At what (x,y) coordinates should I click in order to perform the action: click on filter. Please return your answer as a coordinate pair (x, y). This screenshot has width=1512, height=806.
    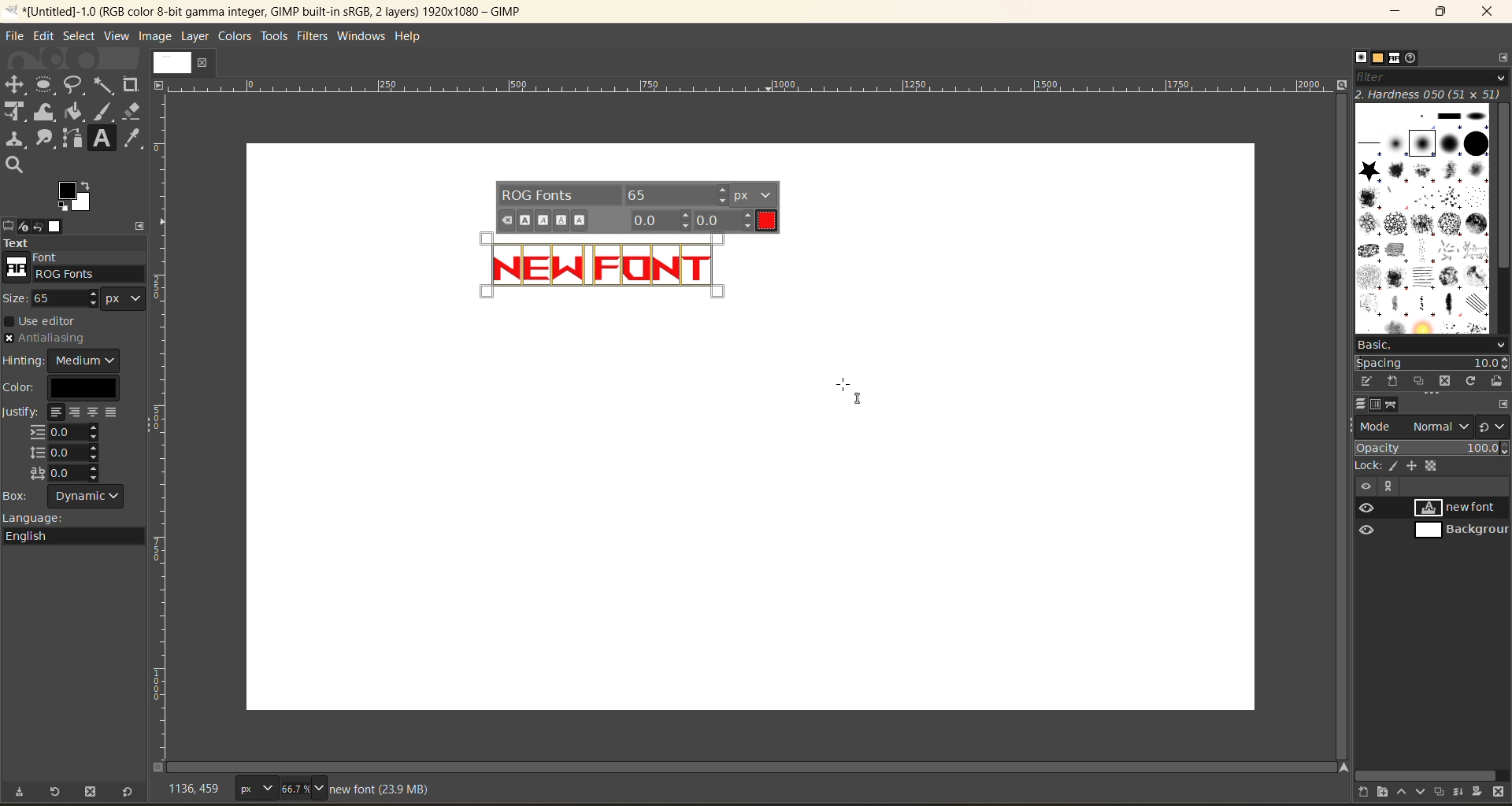
    Looking at the image, I should click on (1430, 81).